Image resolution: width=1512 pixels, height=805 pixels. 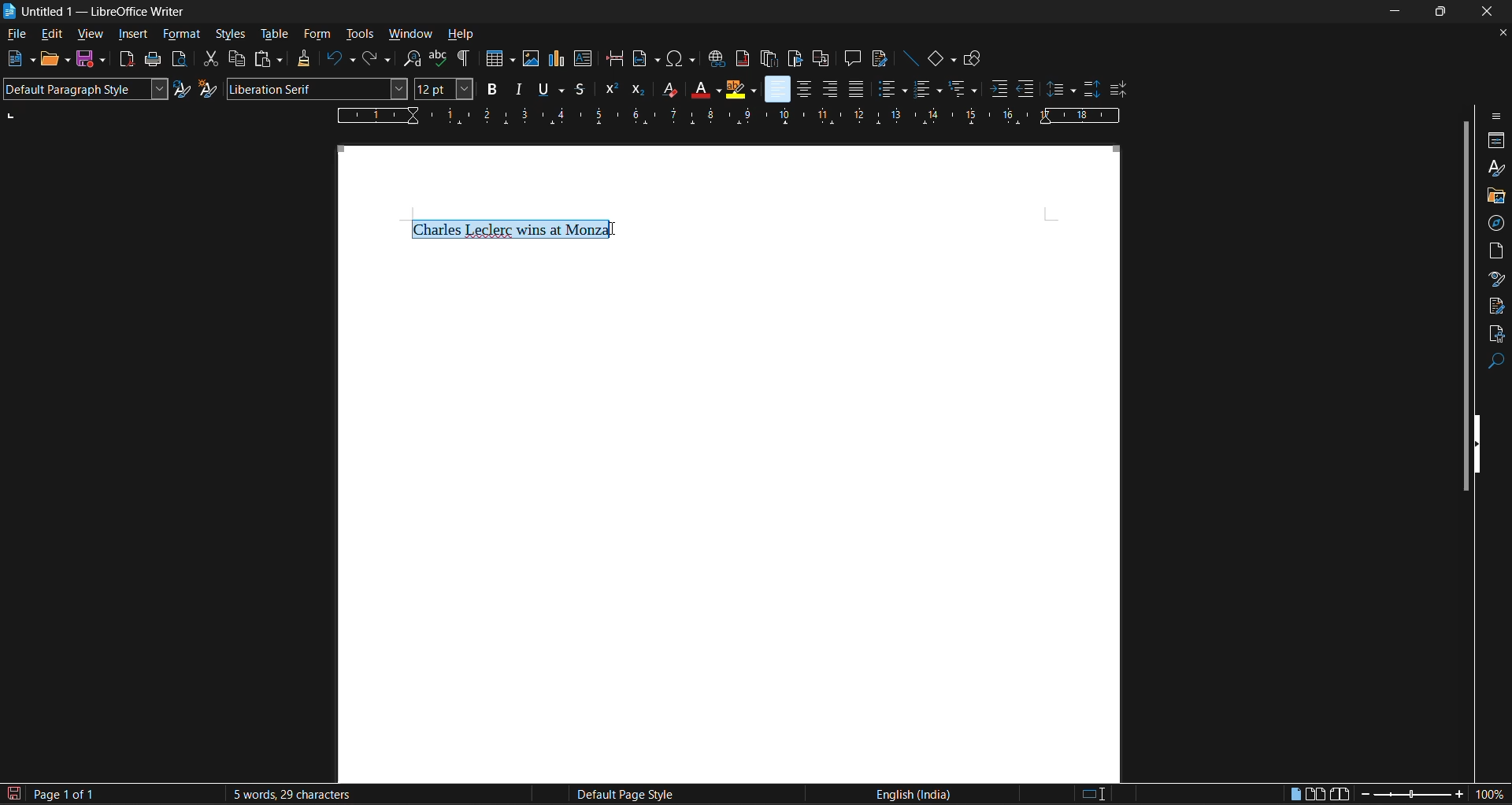 What do you see at coordinates (98, 11) in the screenshot?
I see `app and document name` at bounding box center [98, 11].